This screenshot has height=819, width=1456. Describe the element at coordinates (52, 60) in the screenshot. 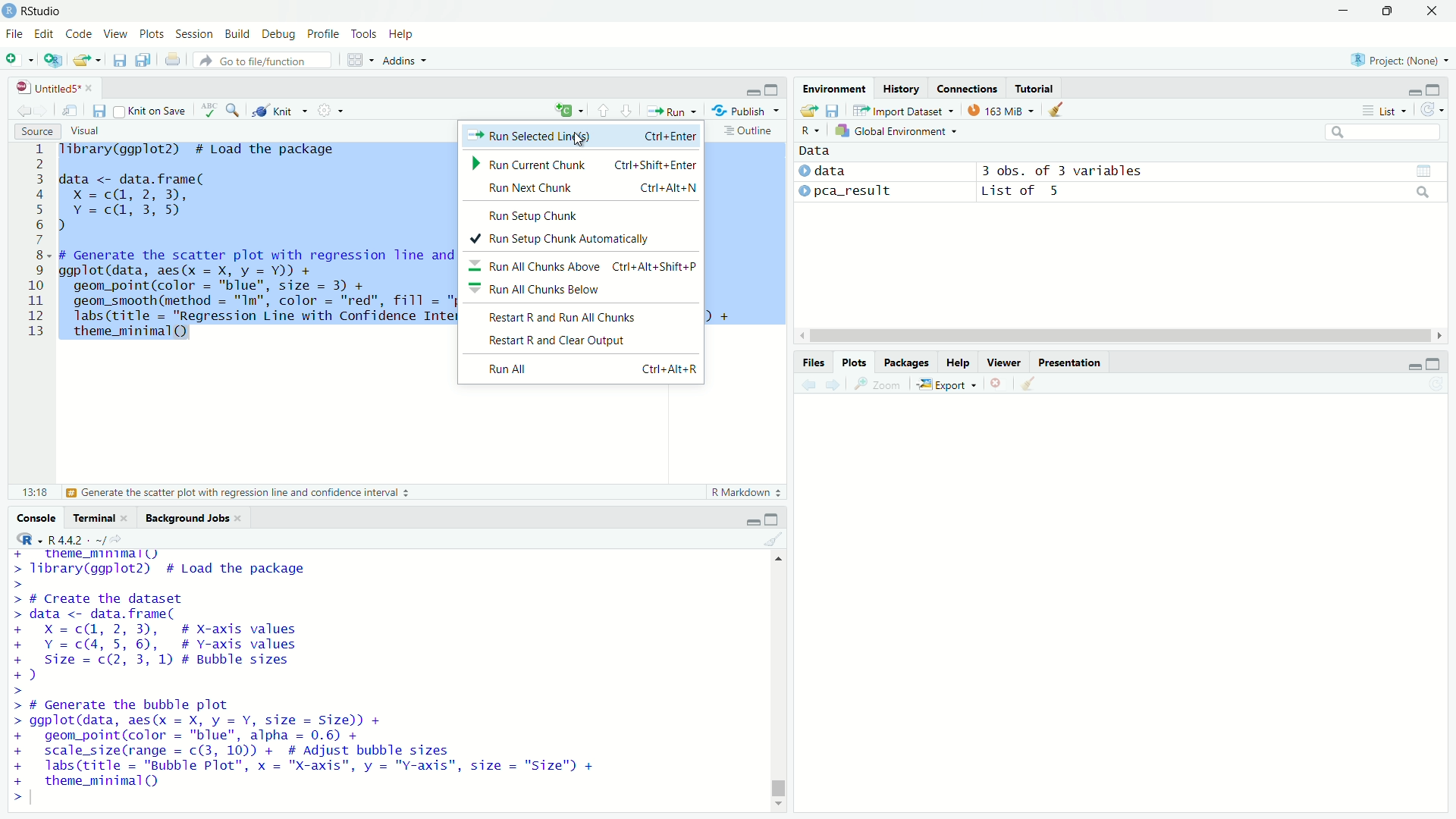

I see `Create a project` at that location.